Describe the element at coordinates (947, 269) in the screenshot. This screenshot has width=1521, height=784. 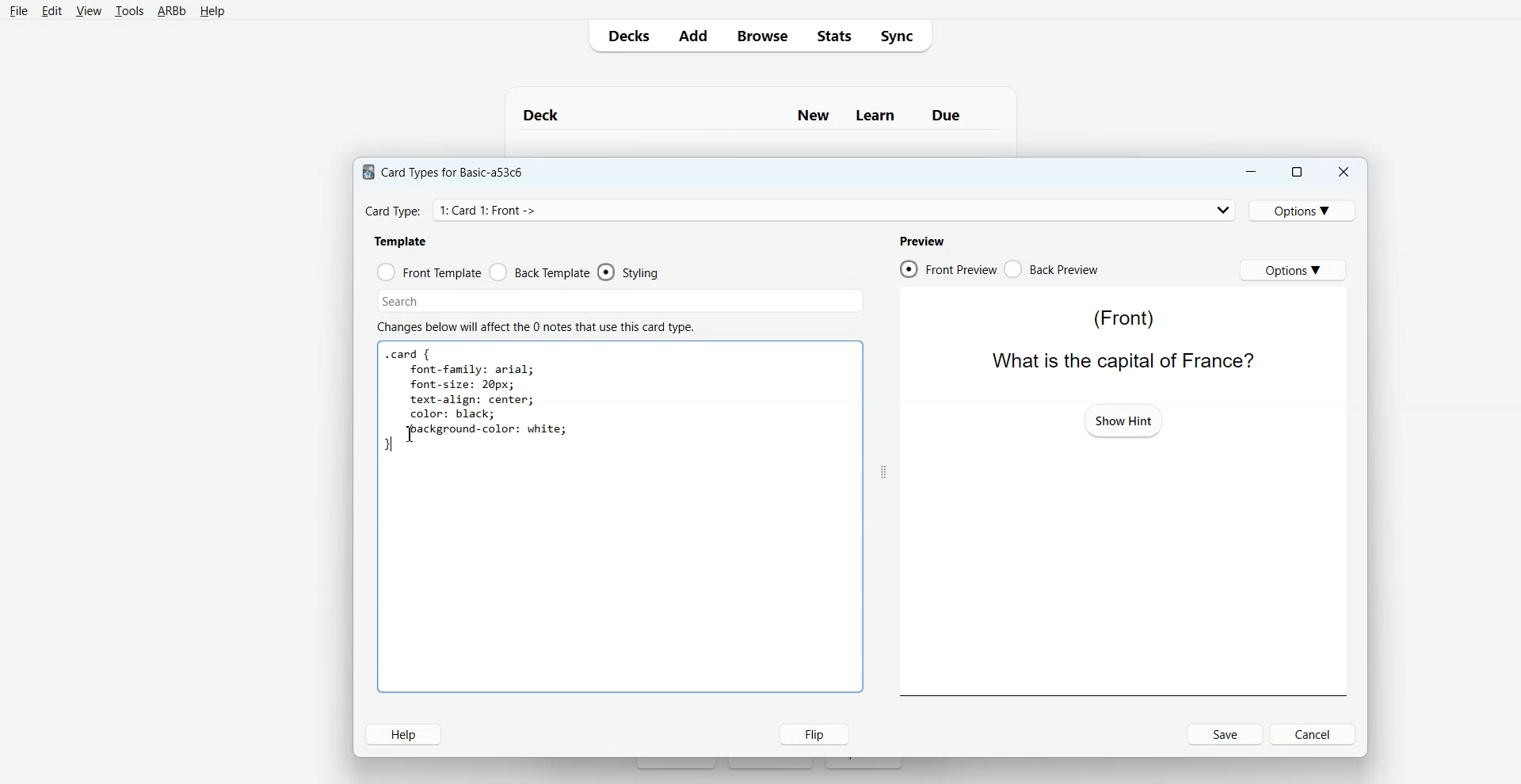
I see `Front Preview` at that location.